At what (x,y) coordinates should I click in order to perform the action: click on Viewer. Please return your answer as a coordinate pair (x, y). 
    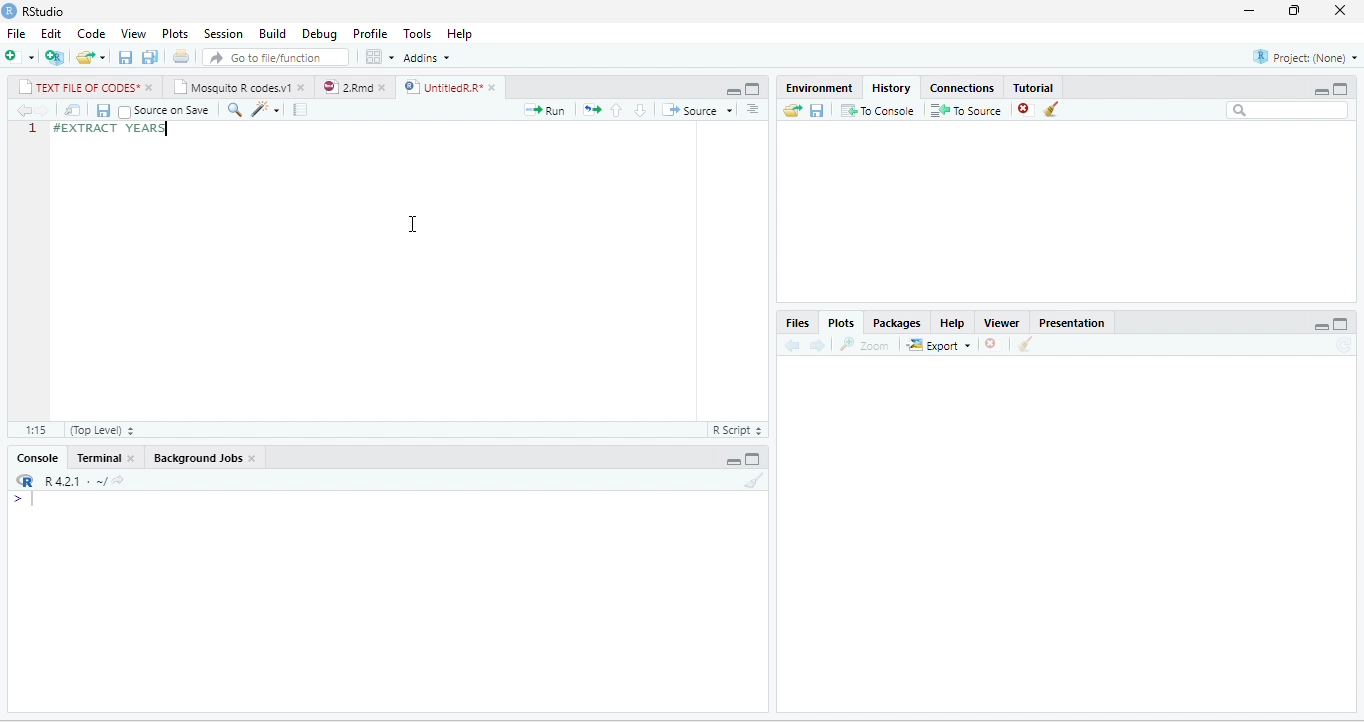
    Looking at the image, I should click on (1001, 323).